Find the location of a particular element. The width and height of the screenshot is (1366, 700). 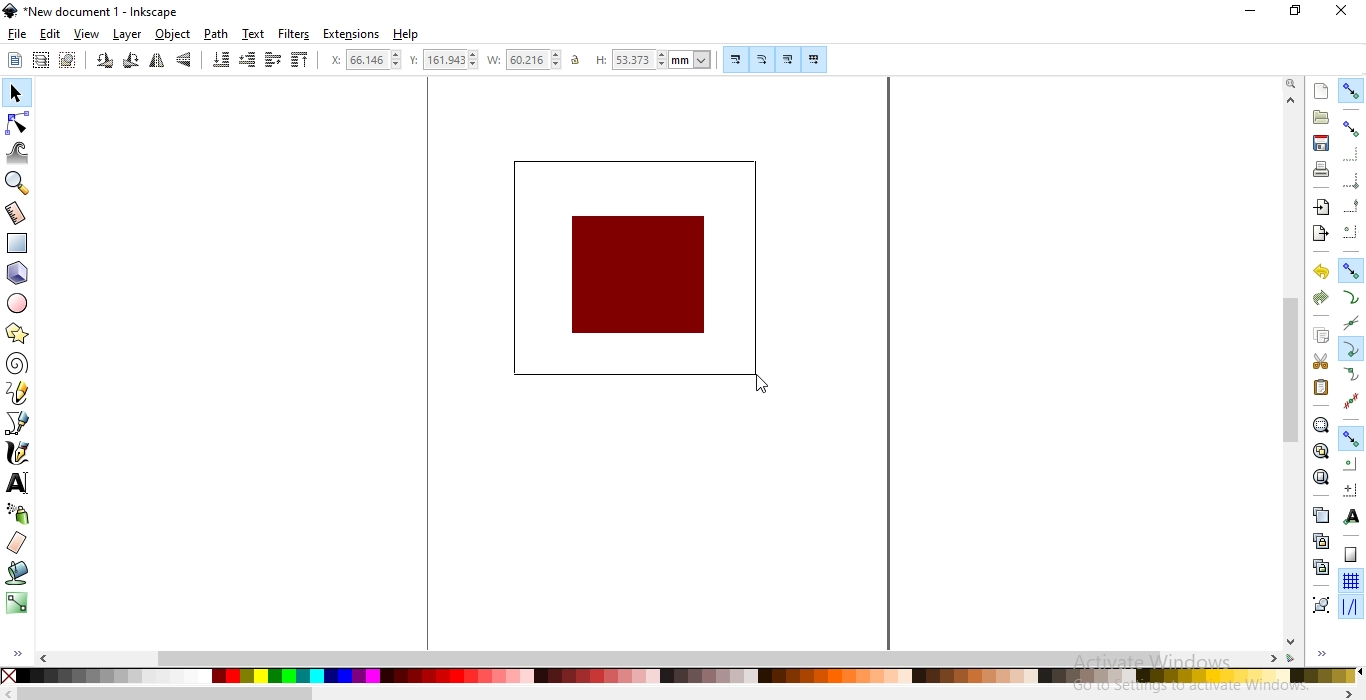

tweak objects by sculpting or painting is located at coordinates (20, 152).